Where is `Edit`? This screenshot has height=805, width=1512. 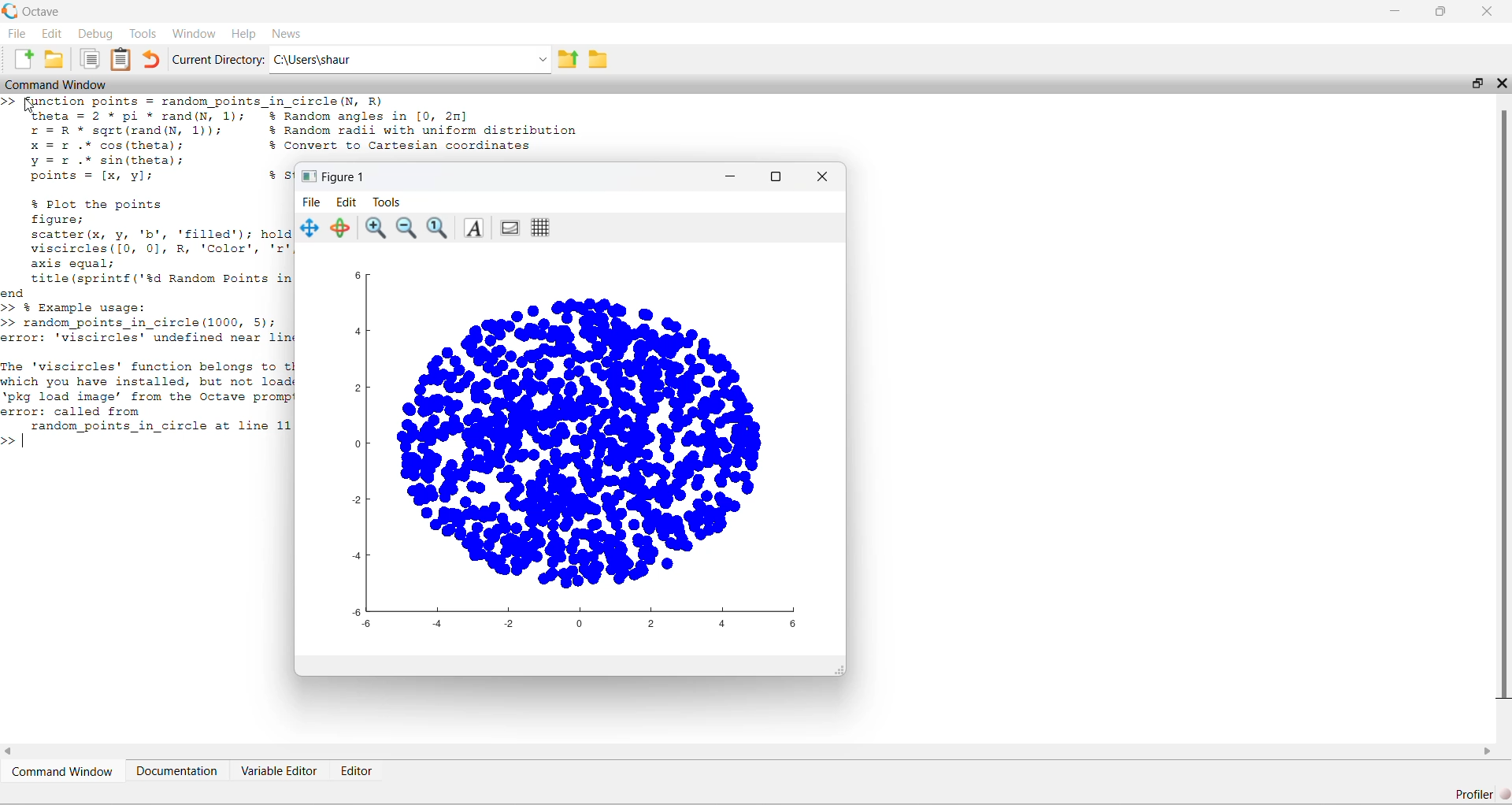 Edit is located at coordinates (346, 202).